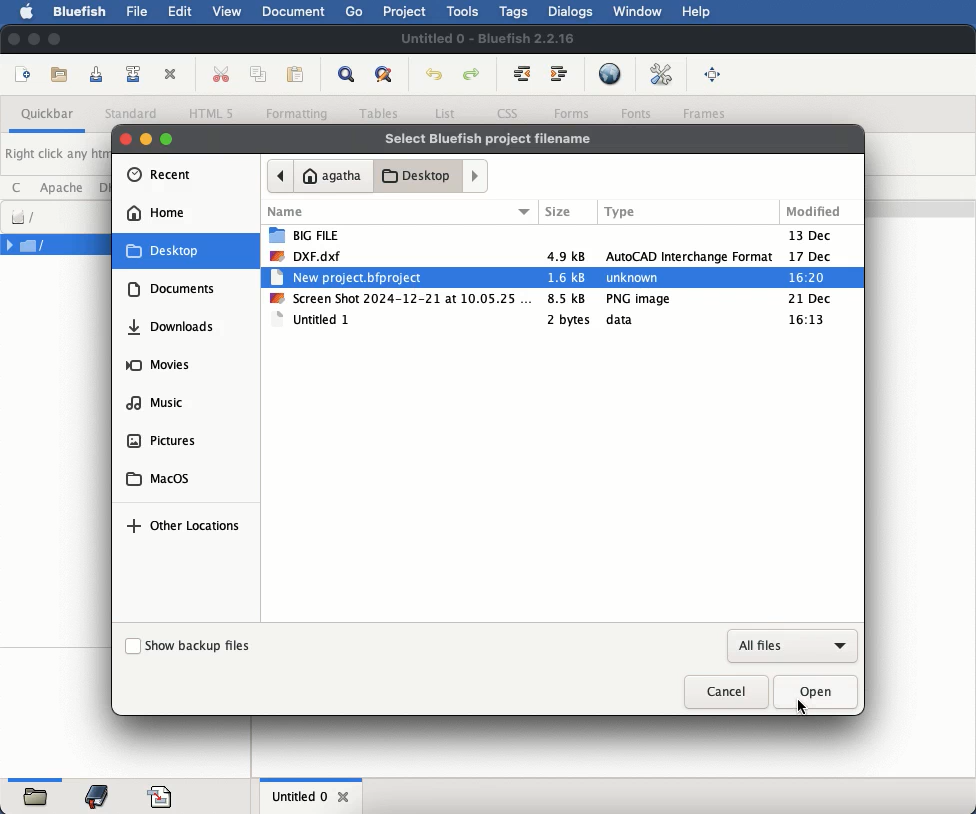 This screenshot has width=976, height=814. What do you see at coordinates (182, 10) in the screenshot?
I see `edit` at bounding box center [182, 10].